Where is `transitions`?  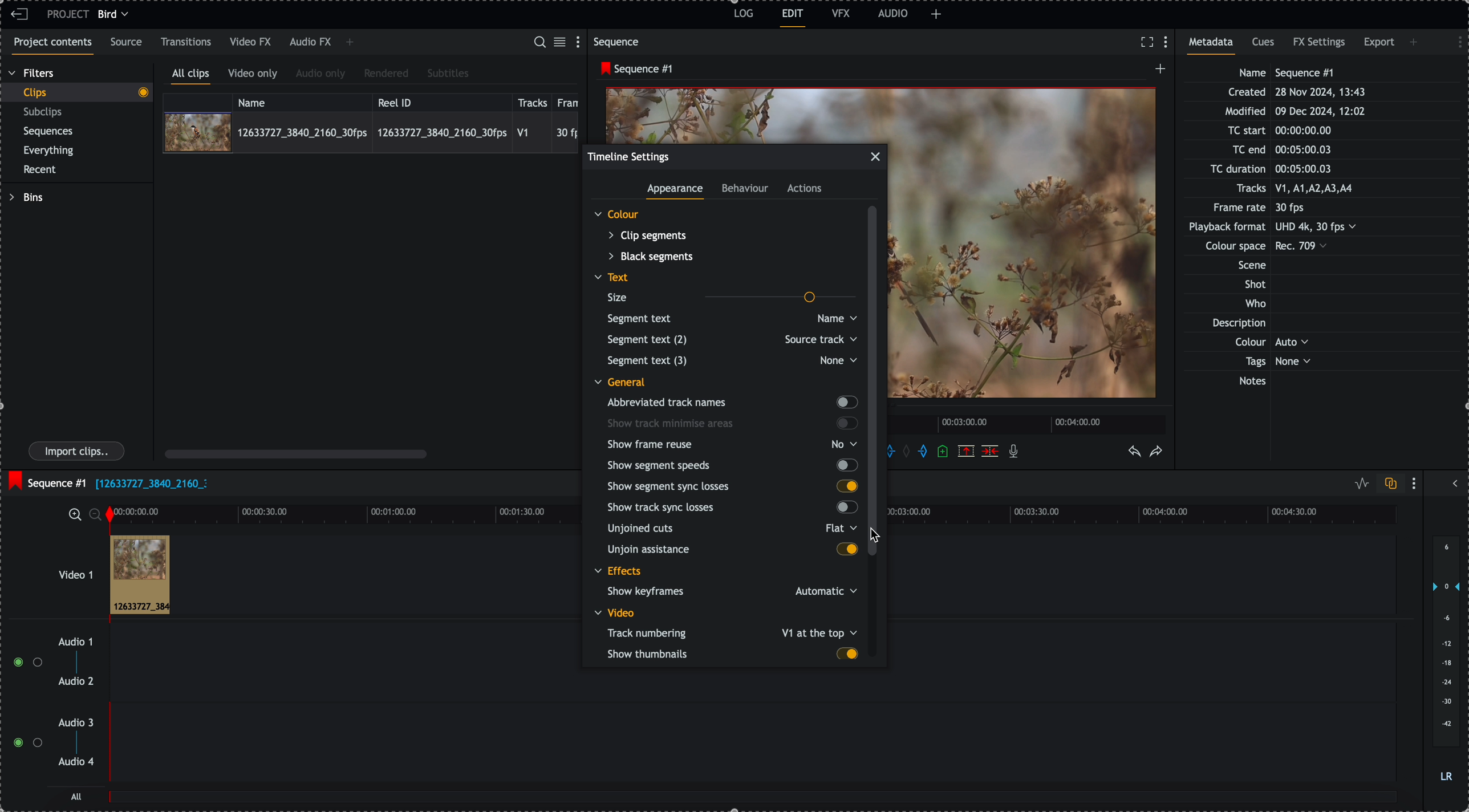
transitions is located at coordinates (186, 42).